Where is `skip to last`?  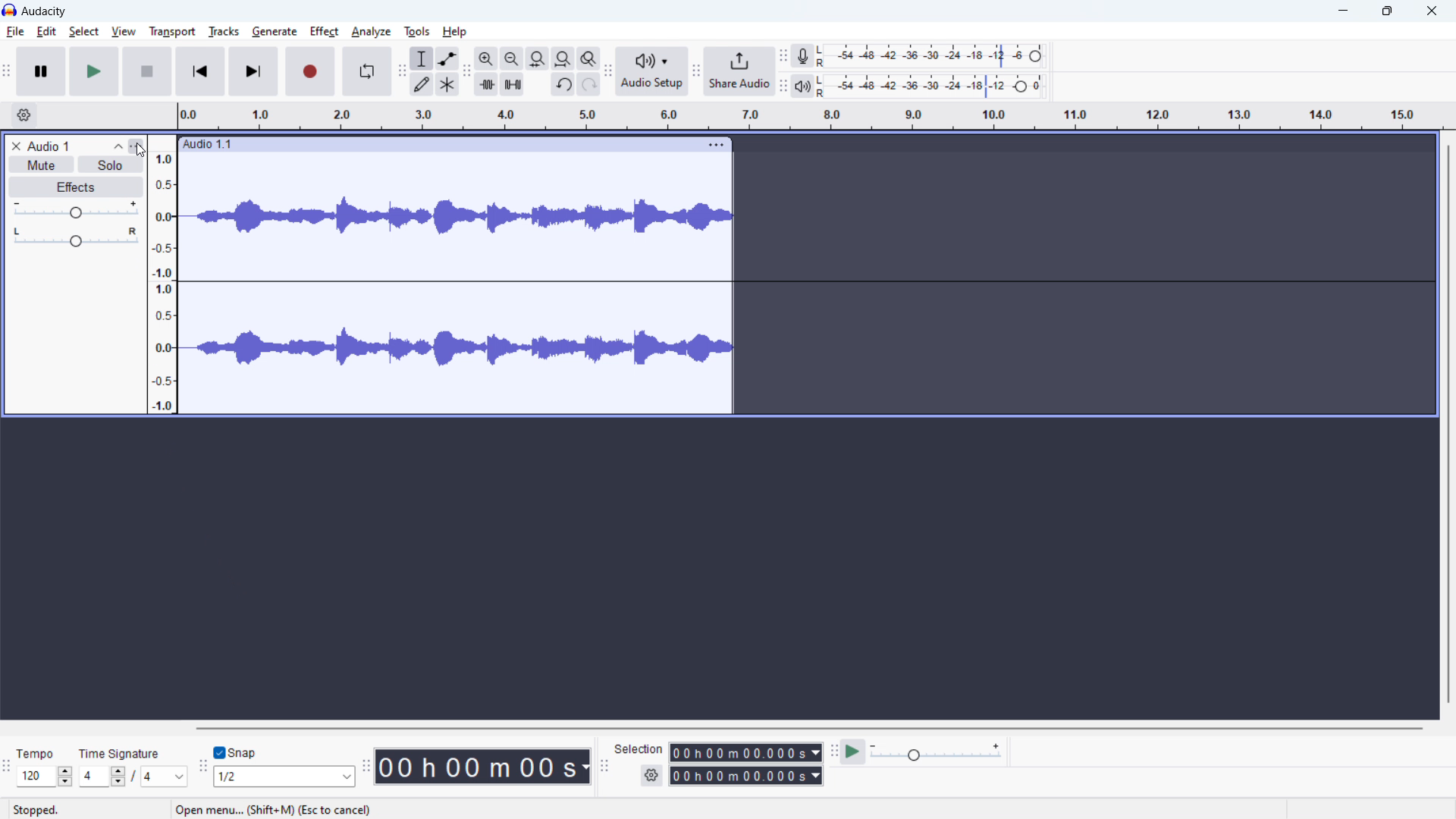 skip to last is located at coordinates (255, 71).